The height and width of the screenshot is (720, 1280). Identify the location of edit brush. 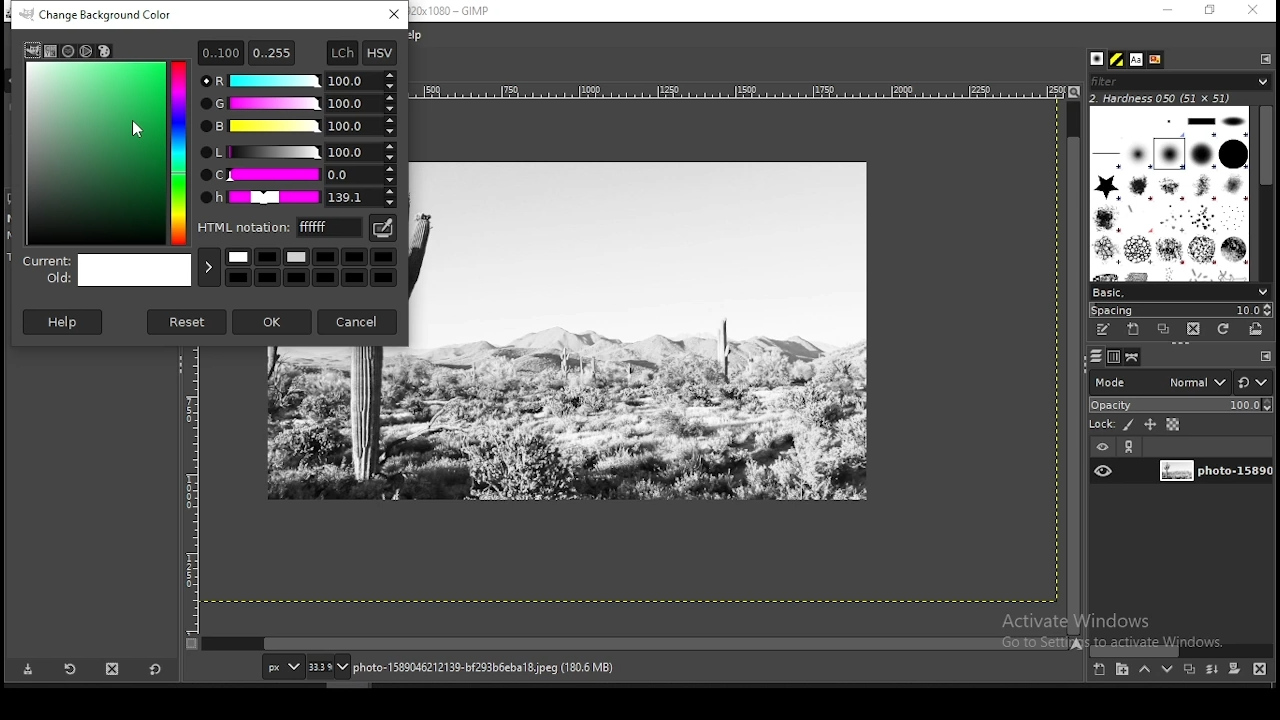
(1105, 330).